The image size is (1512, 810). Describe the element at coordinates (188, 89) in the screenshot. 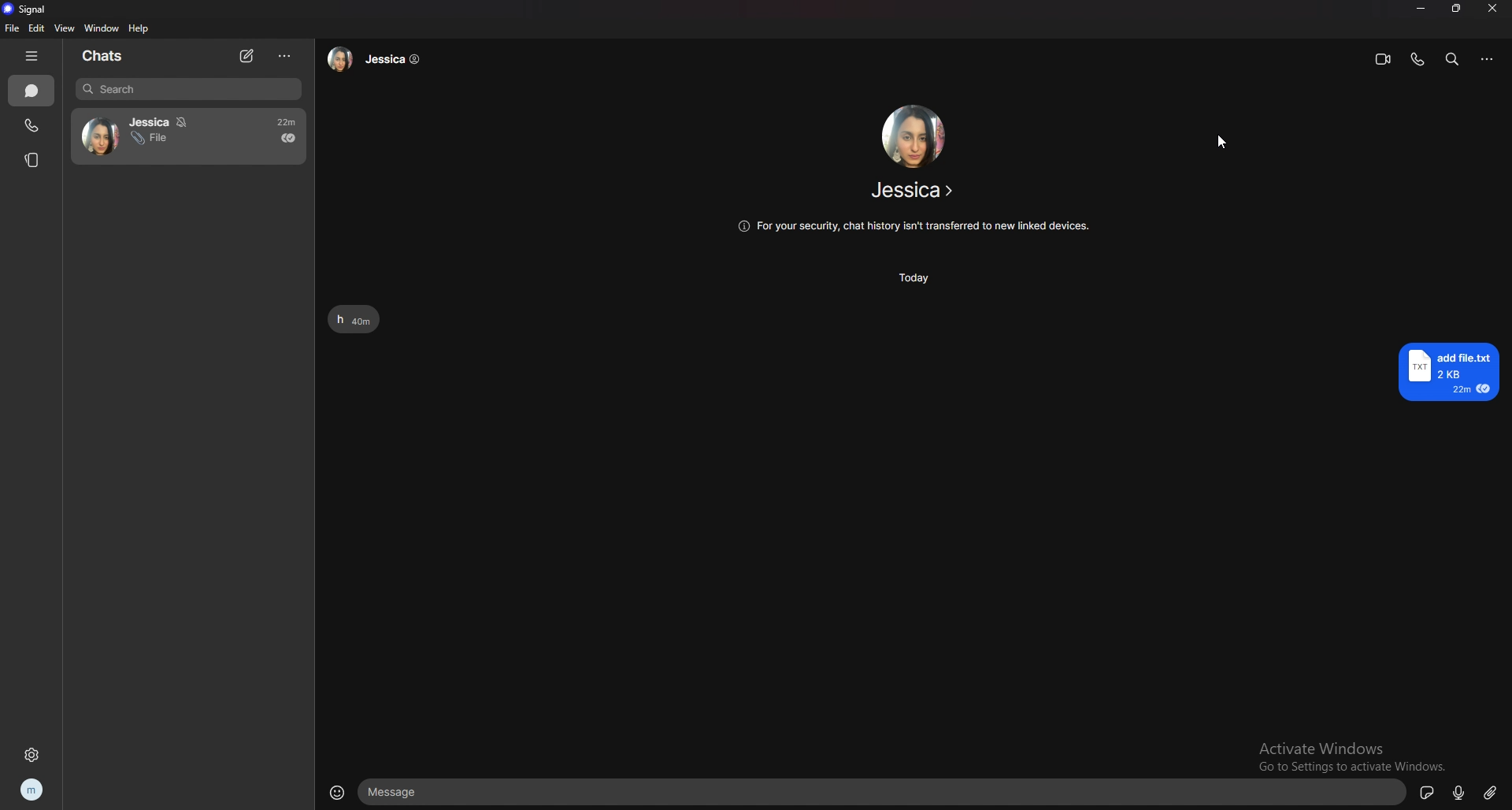

I see `search bar` at that location.